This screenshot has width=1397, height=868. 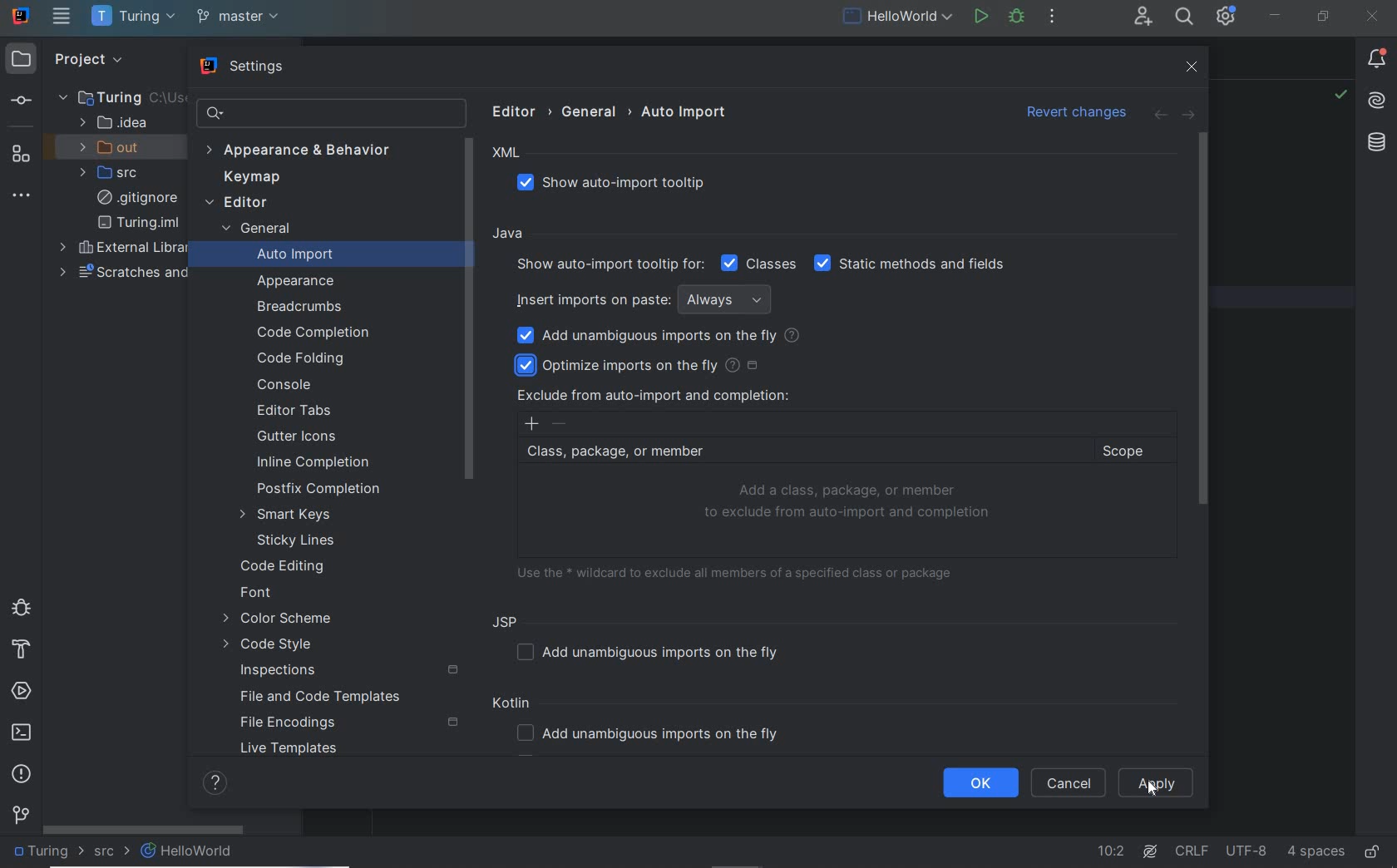 What do you see at coordinates (1375, 144) in the screenshot?
I see `database` at bounding box center [1375, 144].